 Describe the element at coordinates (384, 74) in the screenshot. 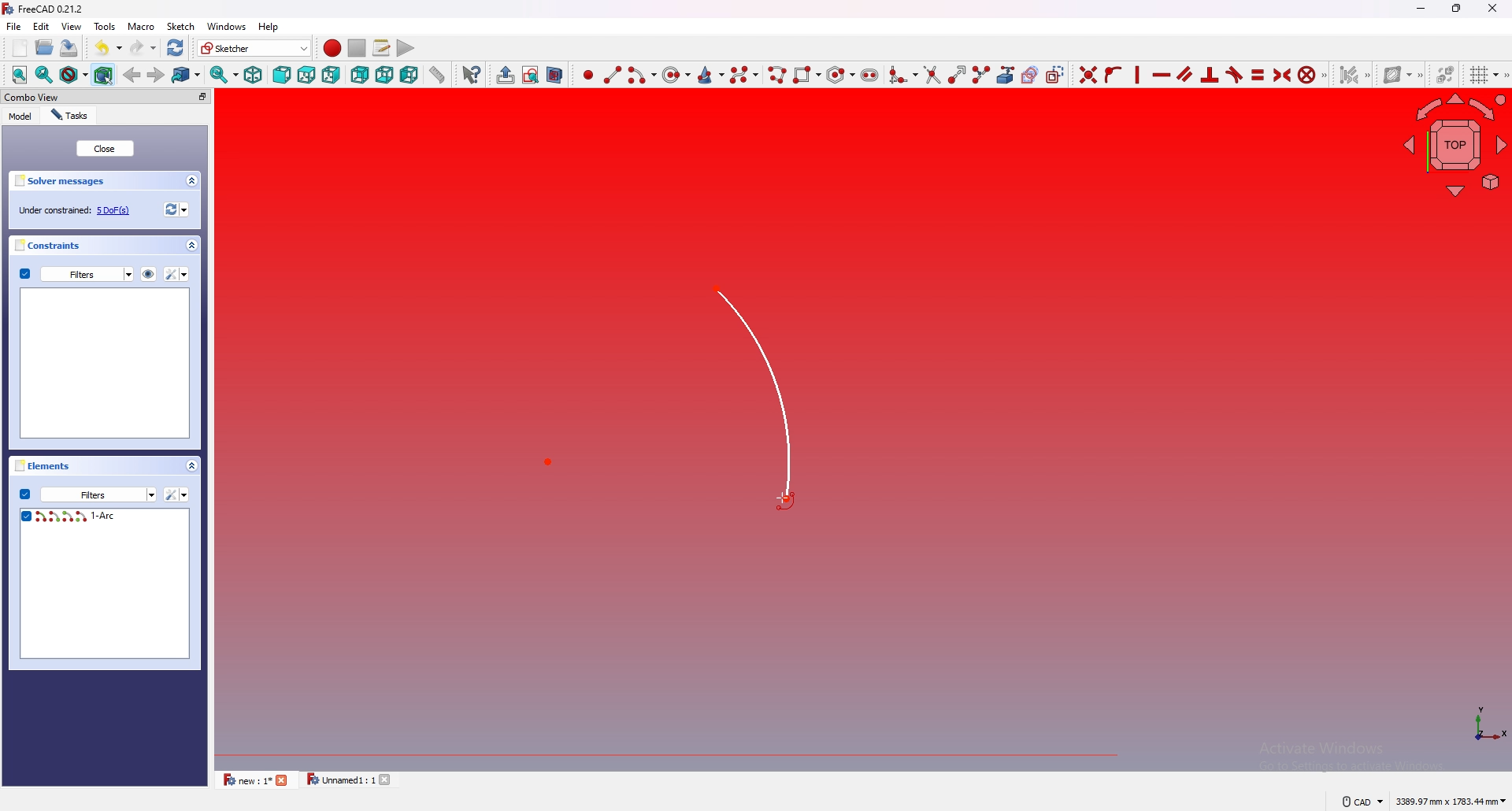

I see `bottom` at that location.